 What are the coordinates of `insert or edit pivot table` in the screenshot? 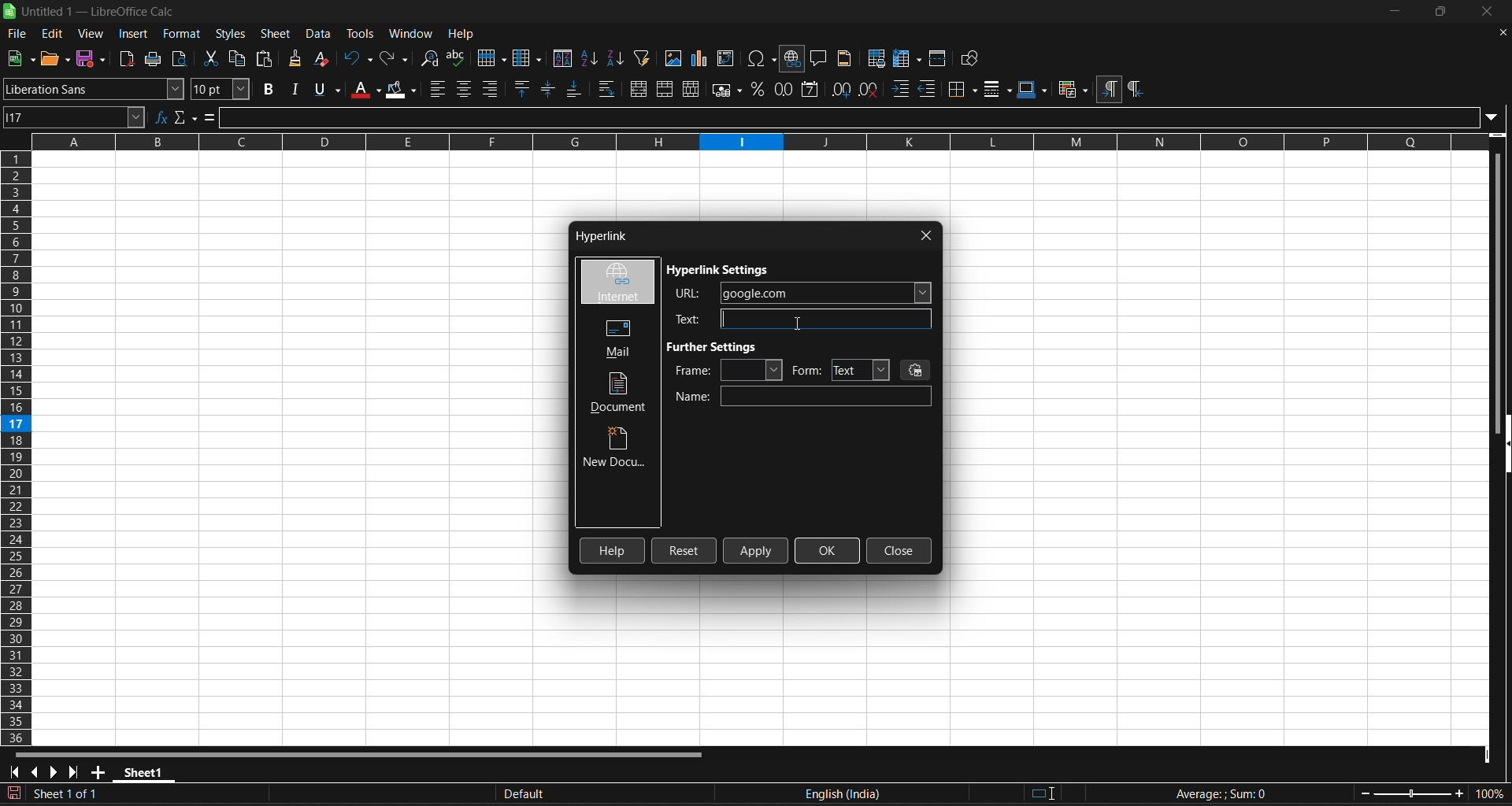 It's located at (728, 58).